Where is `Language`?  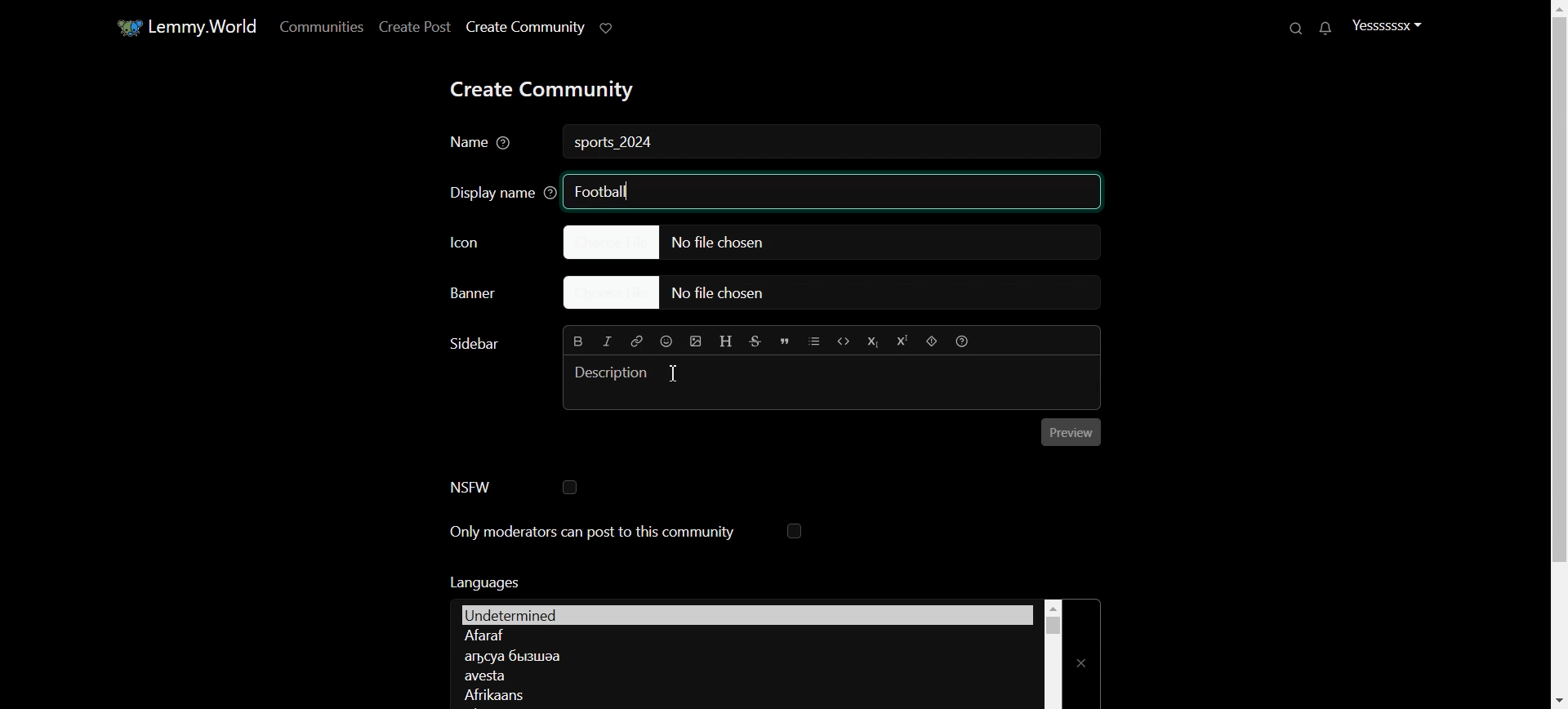 Language is located at coordinates (742, 693).